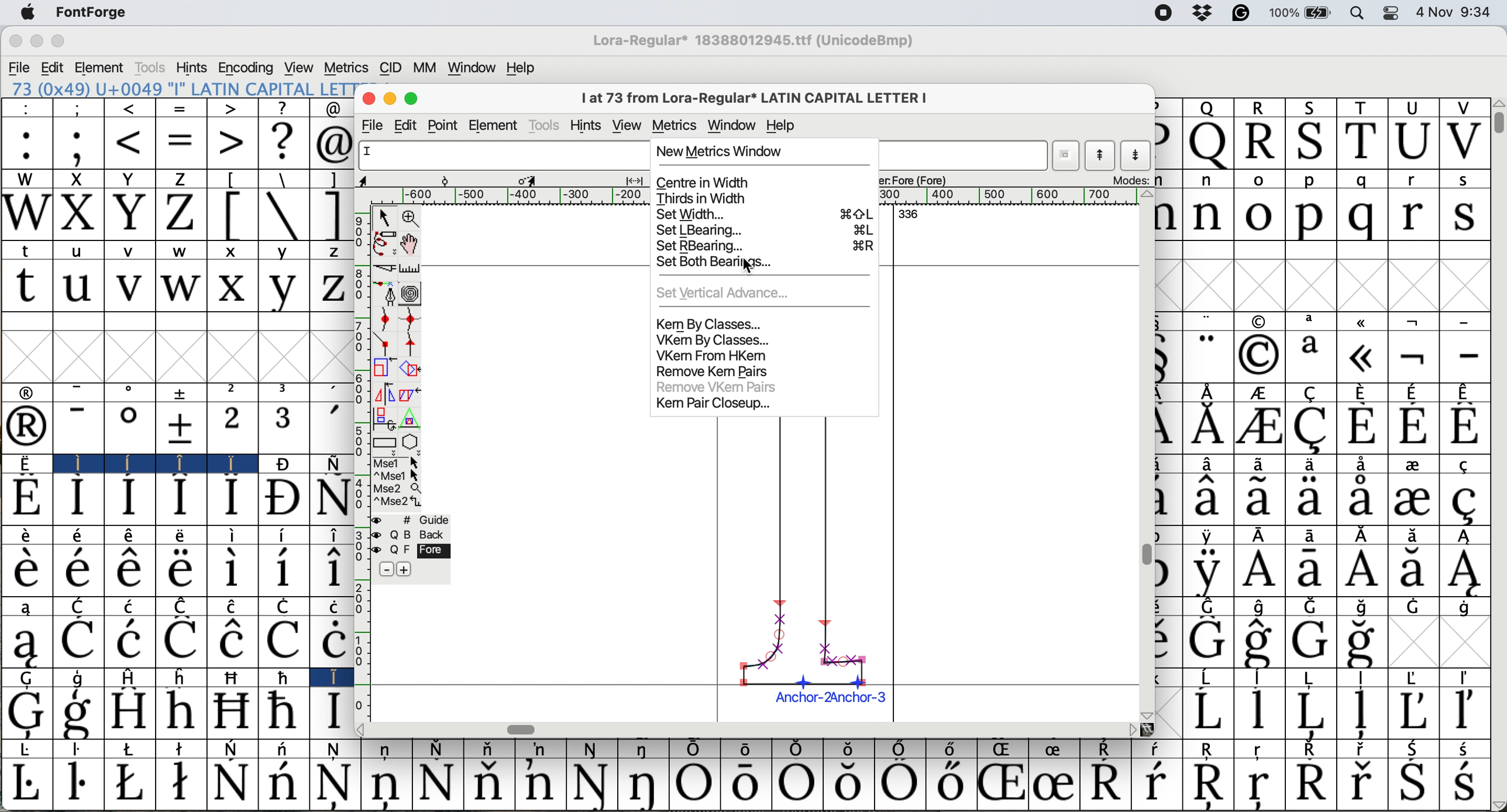 Image resolution: width=1507 pixels, height=812 pixels. Describe the element at coordinates (1360, 499) in the screenshot. I see `Symbol` at that location.